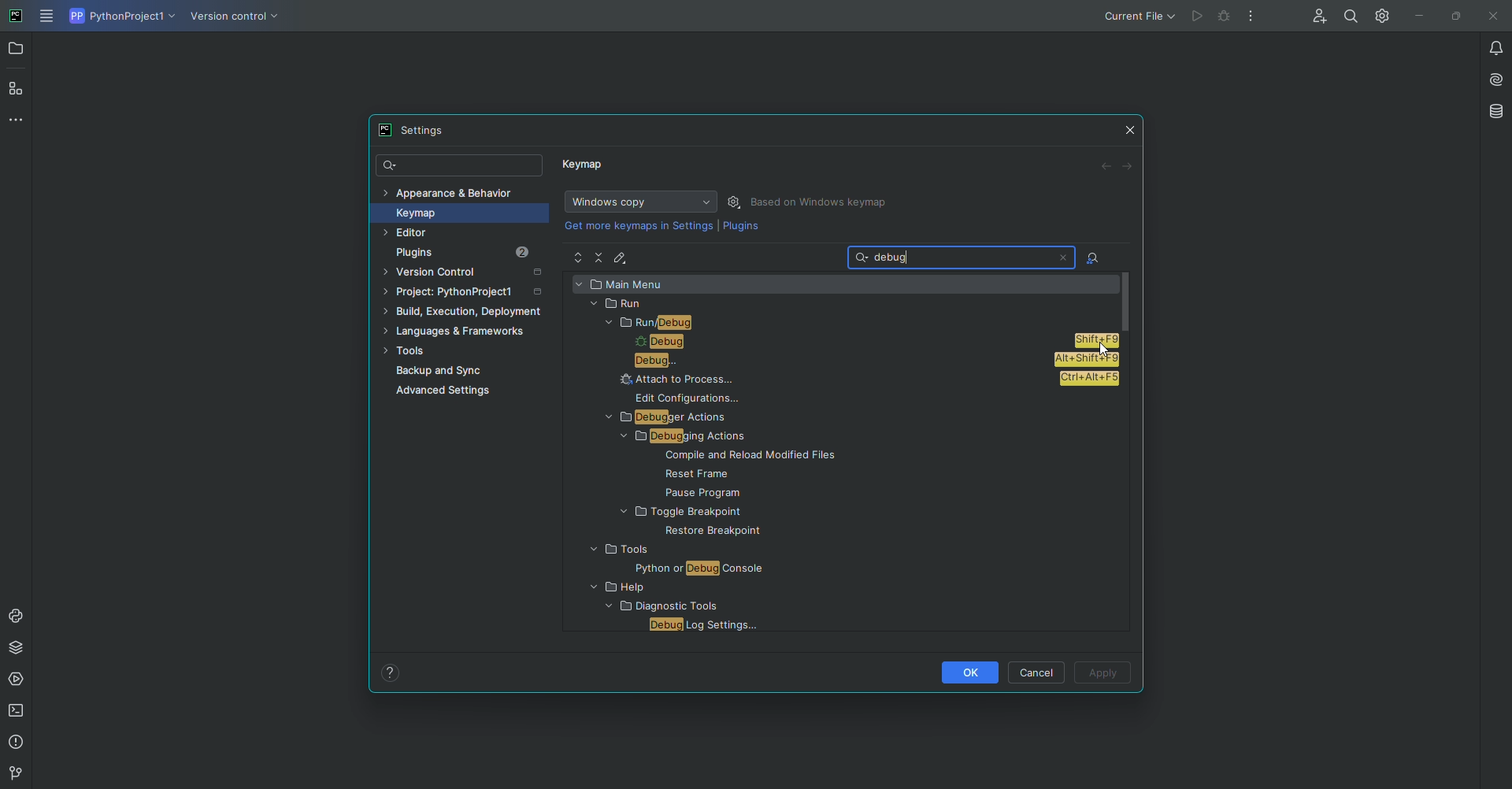 Image resolution: width=1512 pixels, height=789 pixels. Describe the element at coordinates (465, 294) in the screenshot. I see `Project` at that location.